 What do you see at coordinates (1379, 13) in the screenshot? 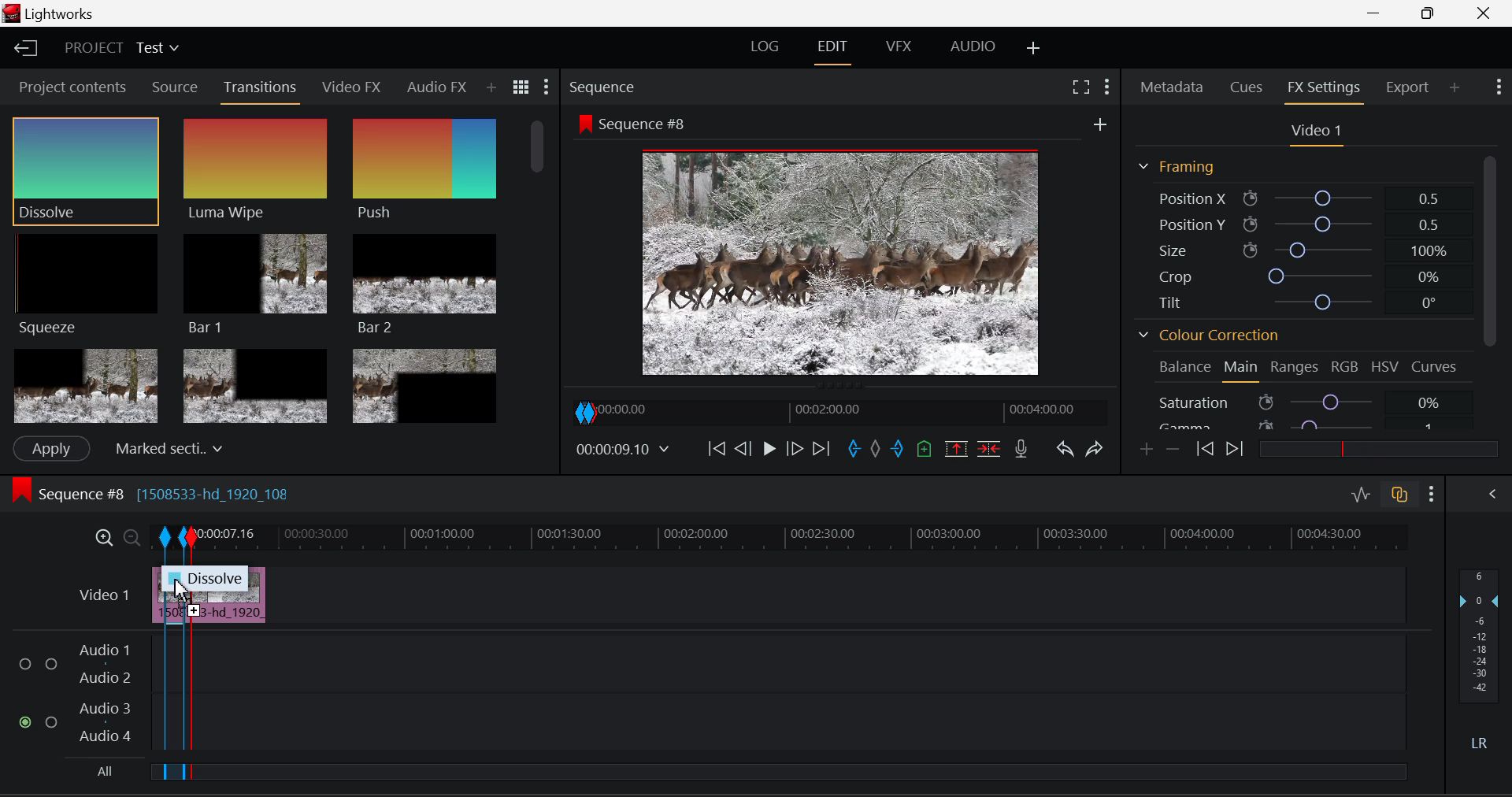
I see `Restore Down` at bounding box center [1379, 13].